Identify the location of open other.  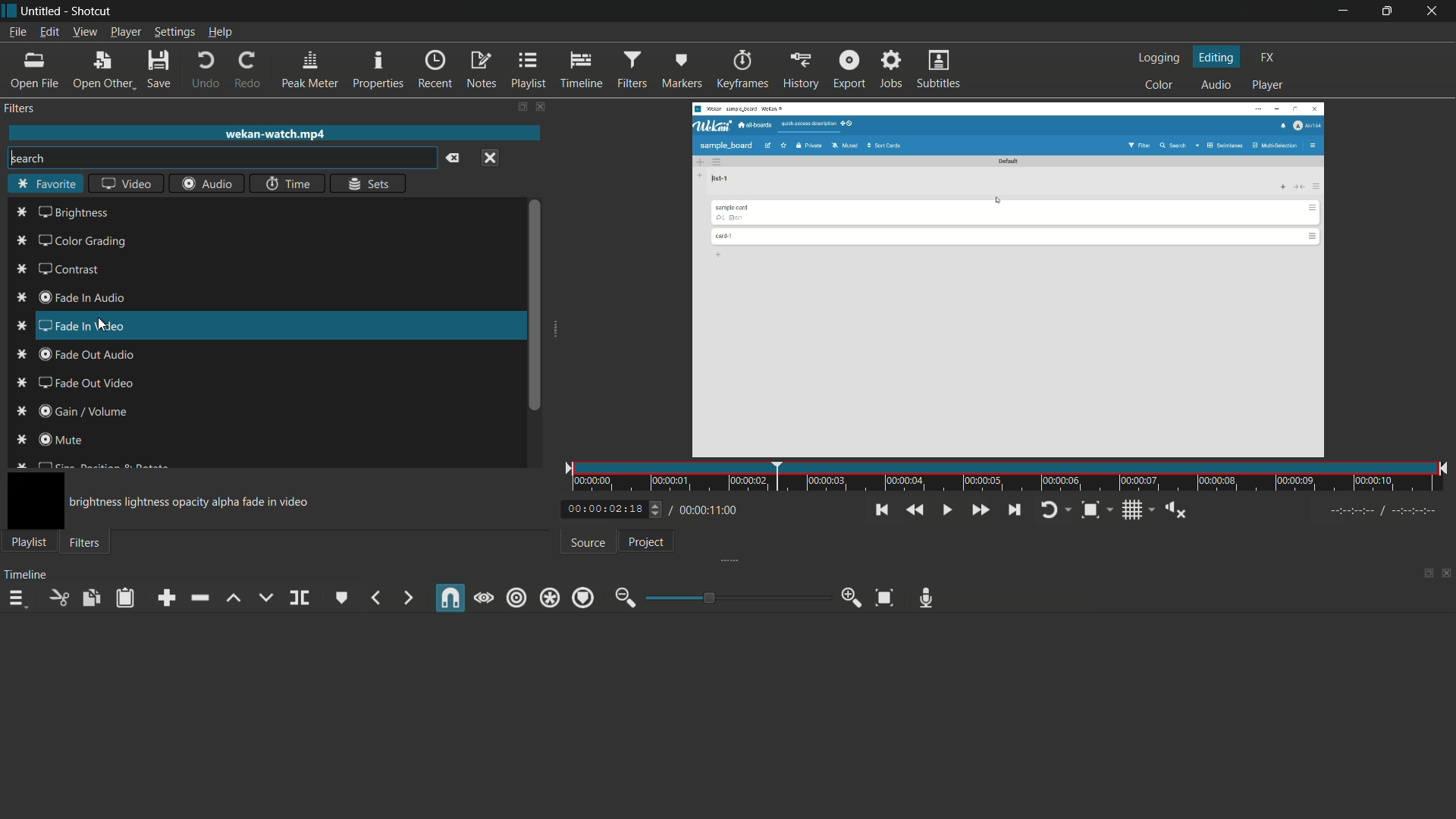
(102, 68).